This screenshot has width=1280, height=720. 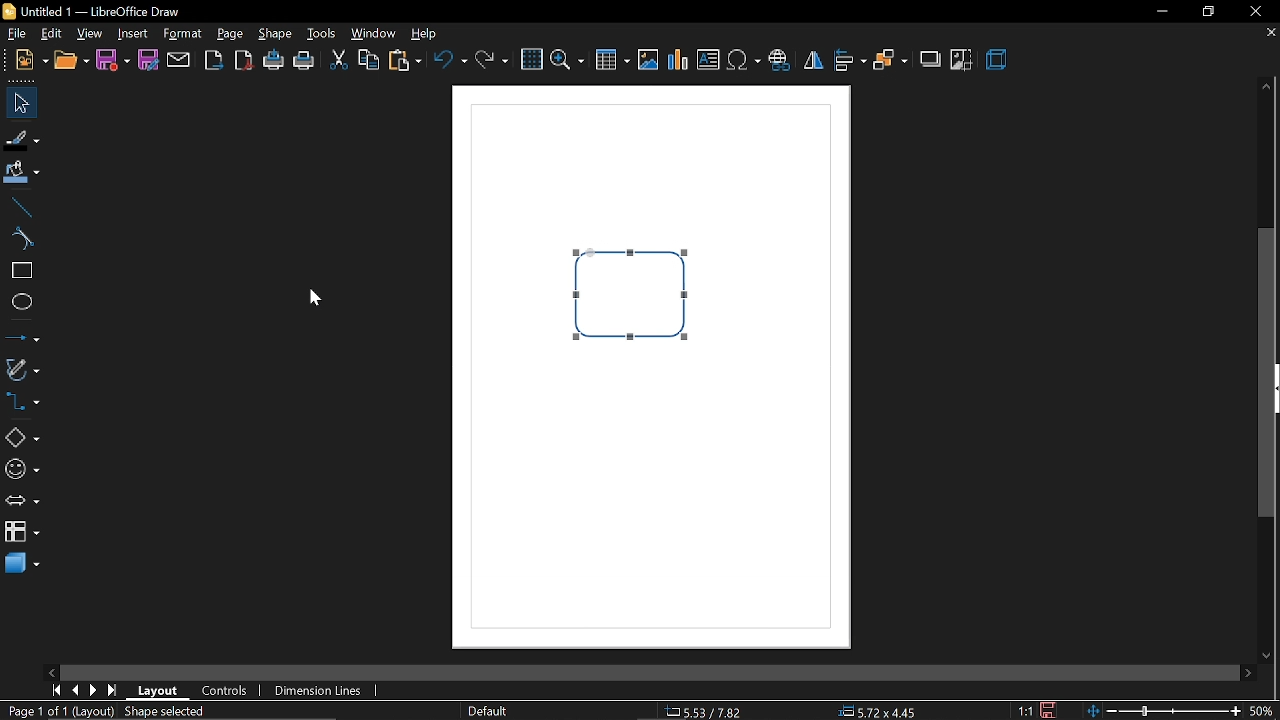 I want to click on save as, so click(x=147, y=61).